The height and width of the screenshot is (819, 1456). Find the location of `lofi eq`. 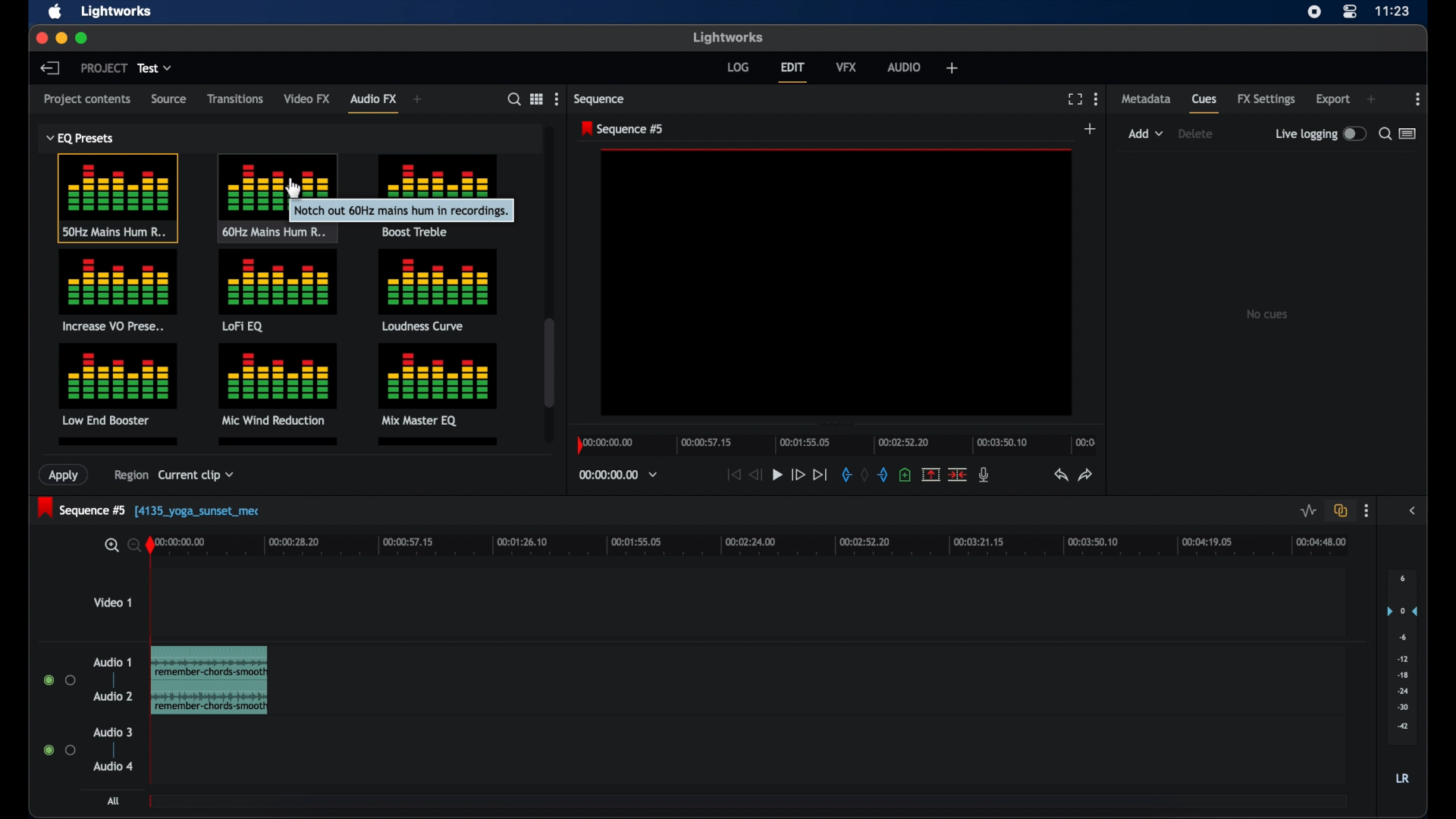

lofi eq is located at coordinates (278, 291).